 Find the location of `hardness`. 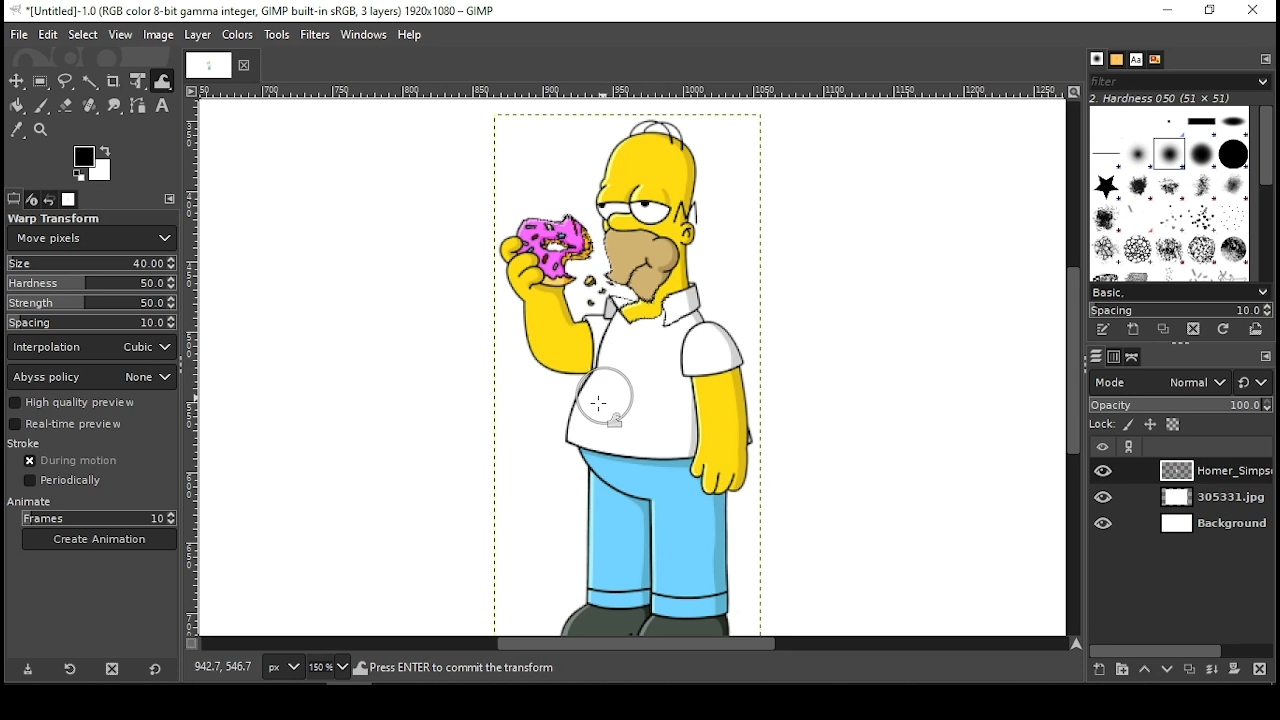

hardness is located at coordinates (91, 283).